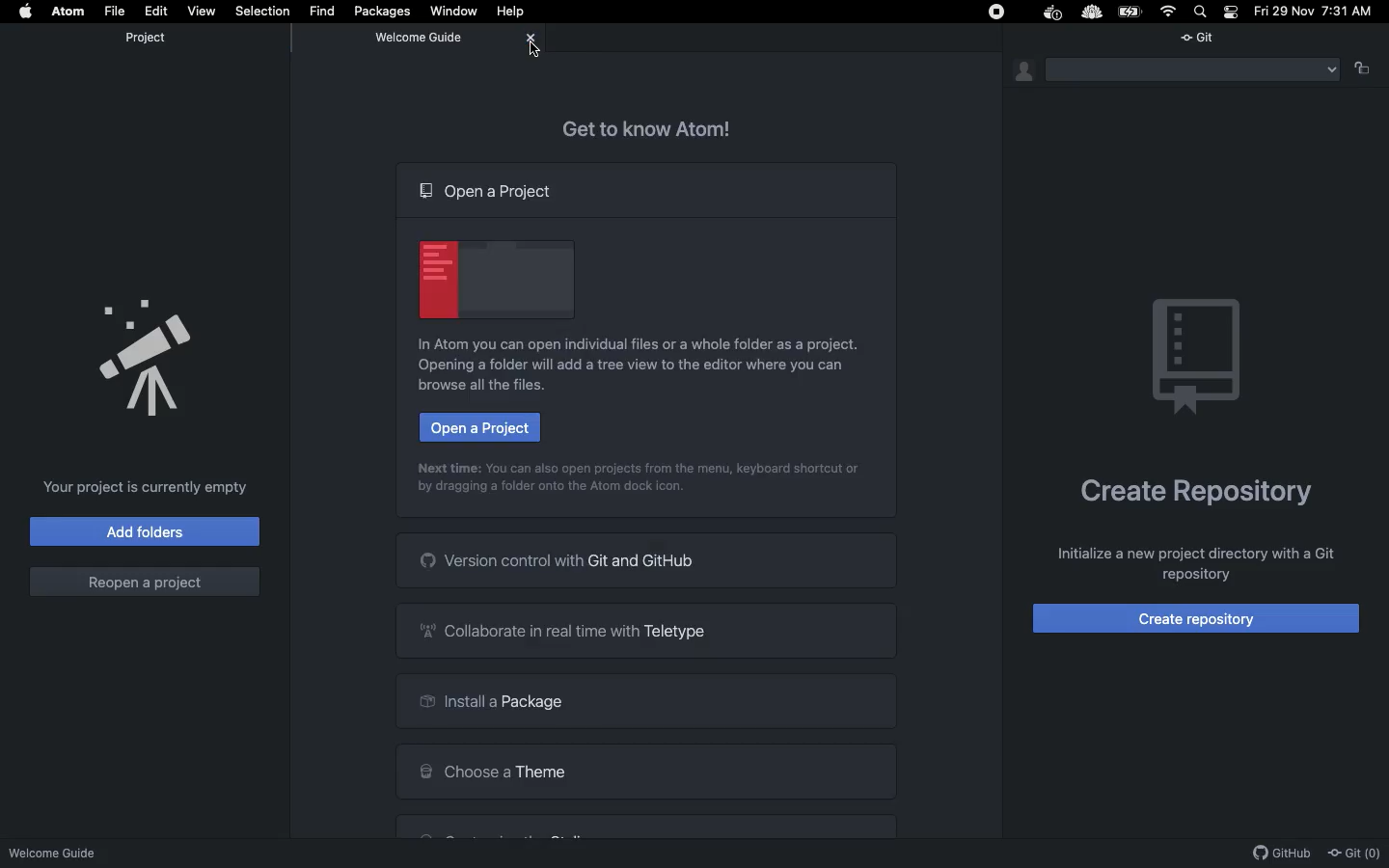 This screenshot has width=1389, height=868. What do you see at coordinates (323, 10) in the screenshot?
I see `Find` at bounding box center [323, 10].